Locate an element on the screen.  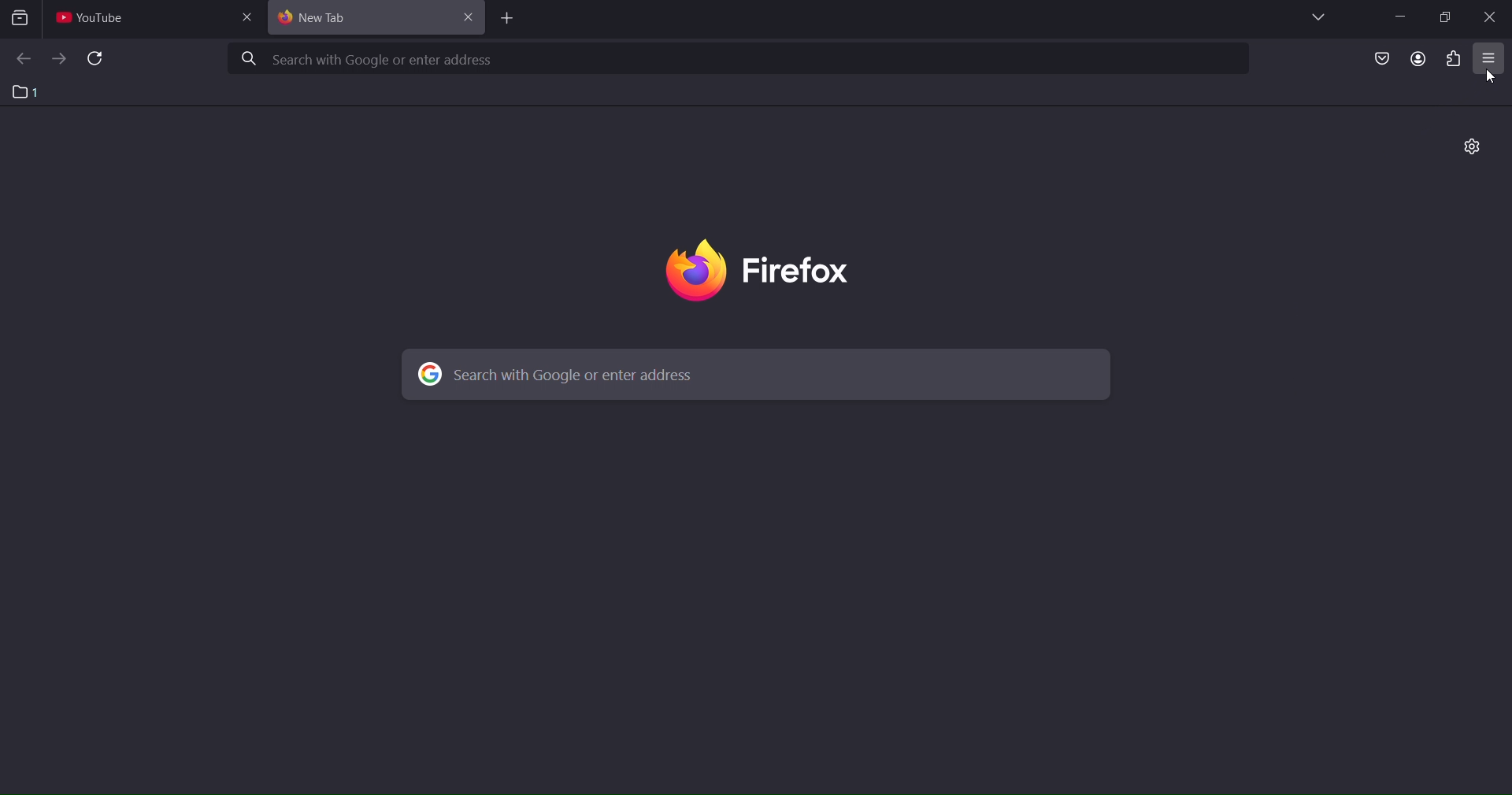
go back one page is located at coordinates (22, 59).